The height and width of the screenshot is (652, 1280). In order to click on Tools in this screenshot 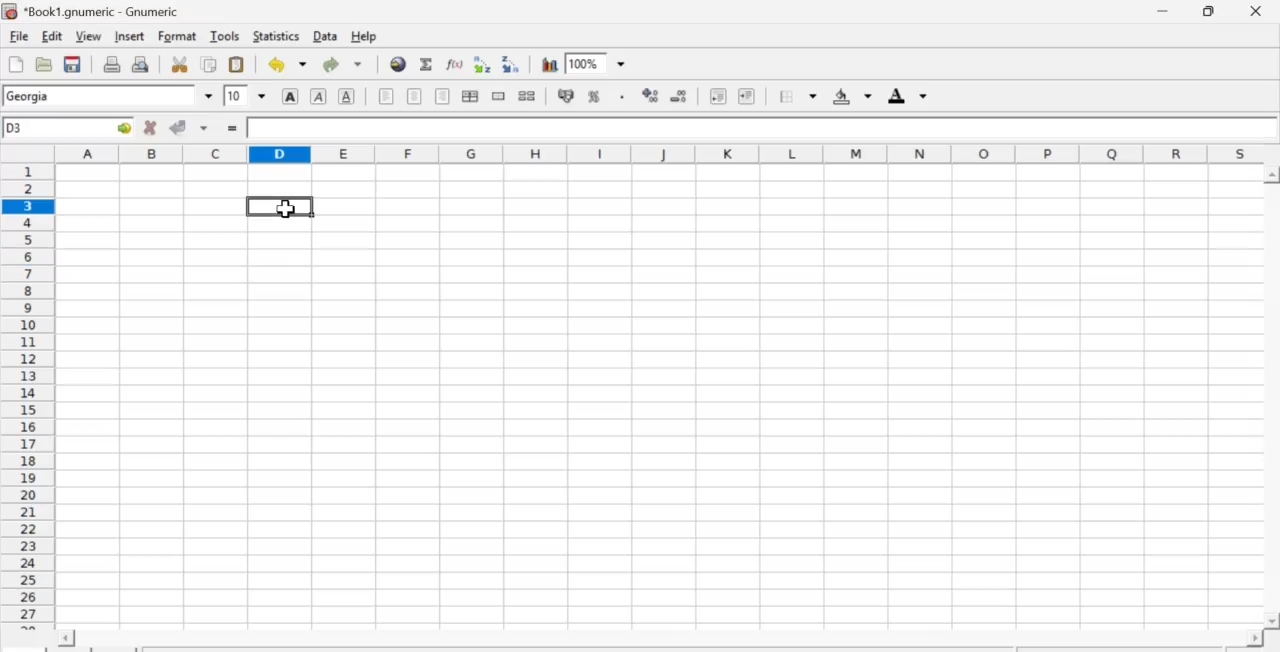, I will do `click(227, 37)`.